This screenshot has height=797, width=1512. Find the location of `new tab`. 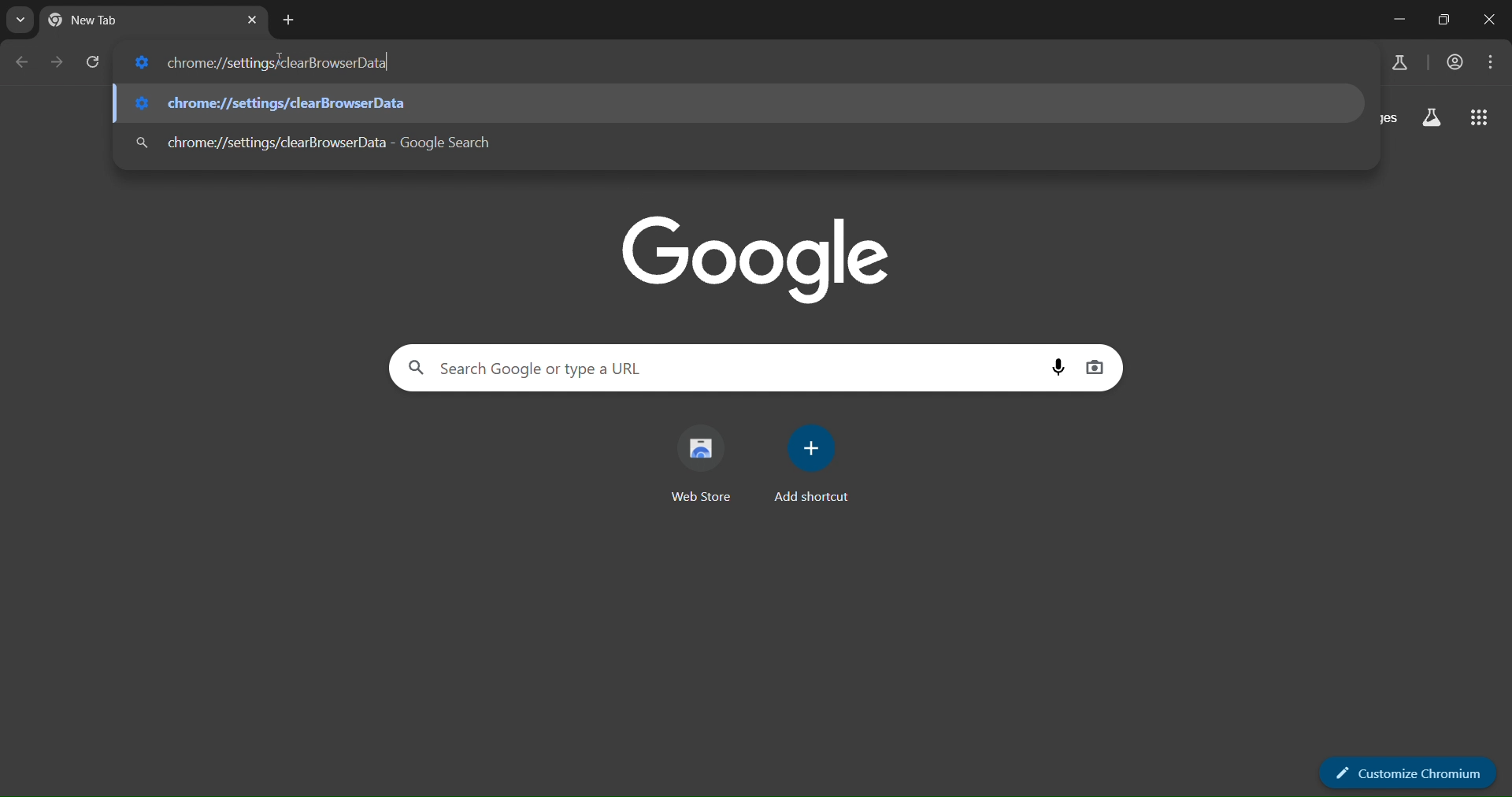

new tab is located at coordinates (290, 20).